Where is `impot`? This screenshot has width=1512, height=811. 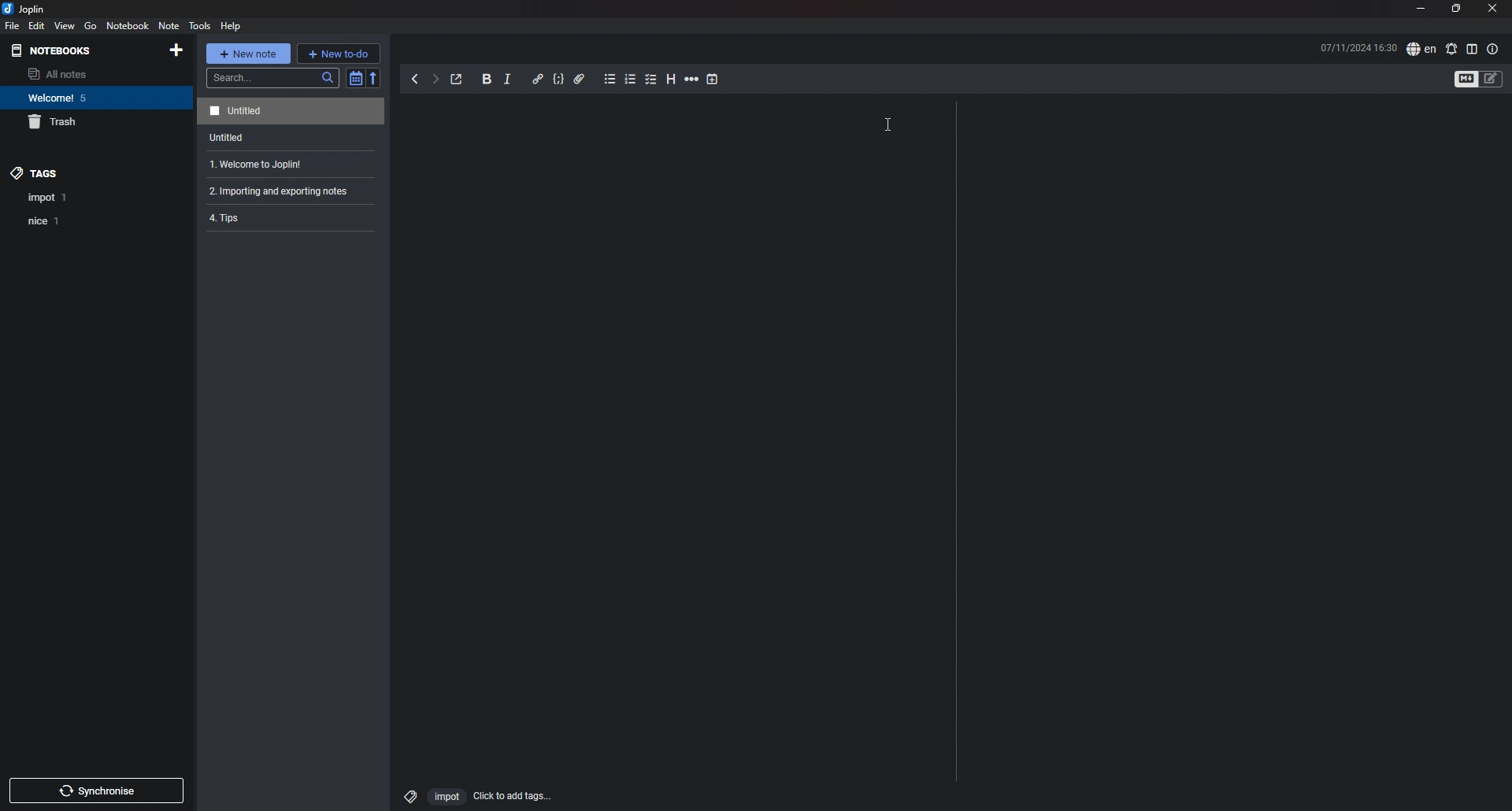
impot is located at coordinates (446, 798).